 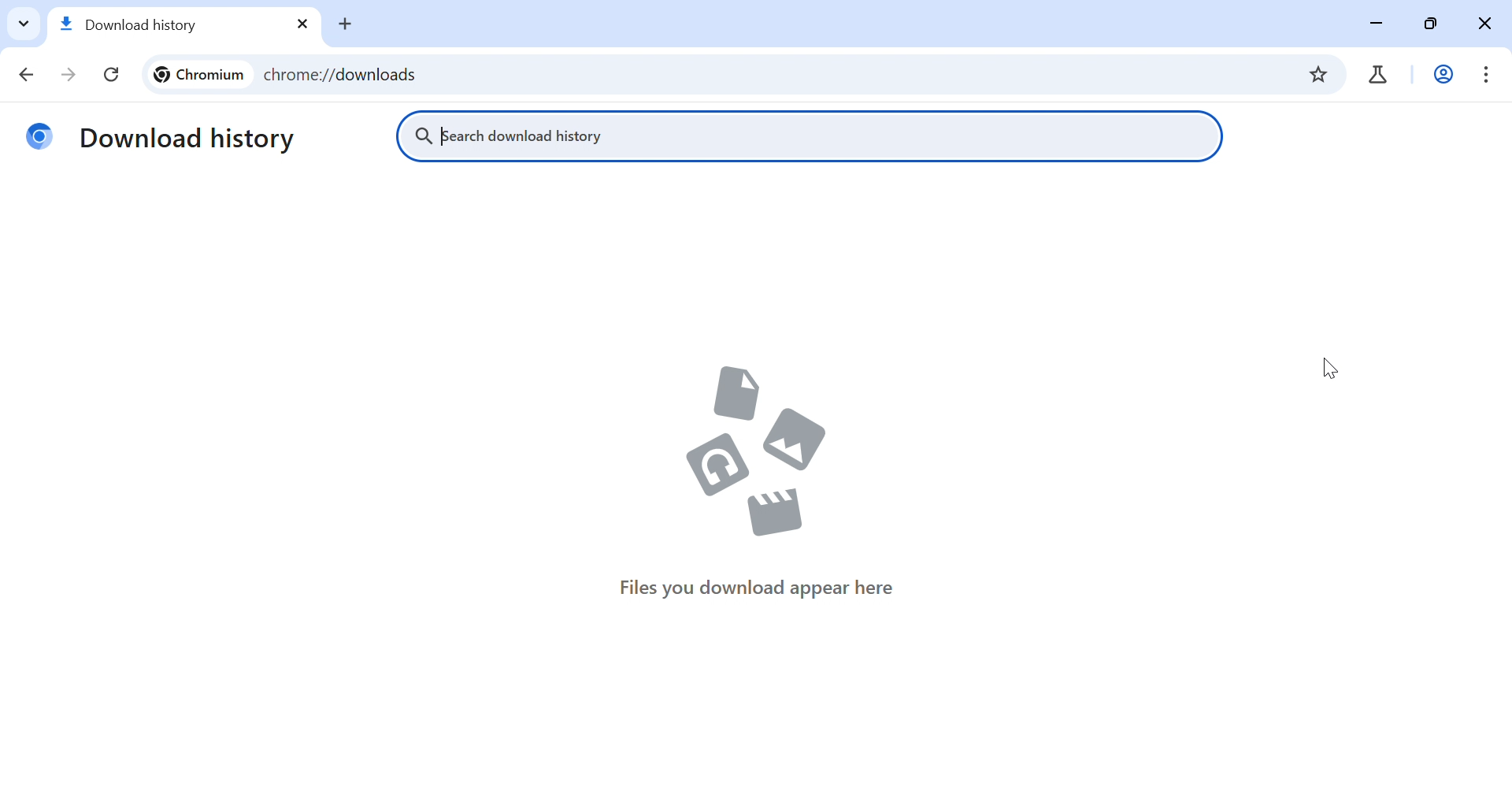 I want to click on Close, so click(x=1481, y=25).